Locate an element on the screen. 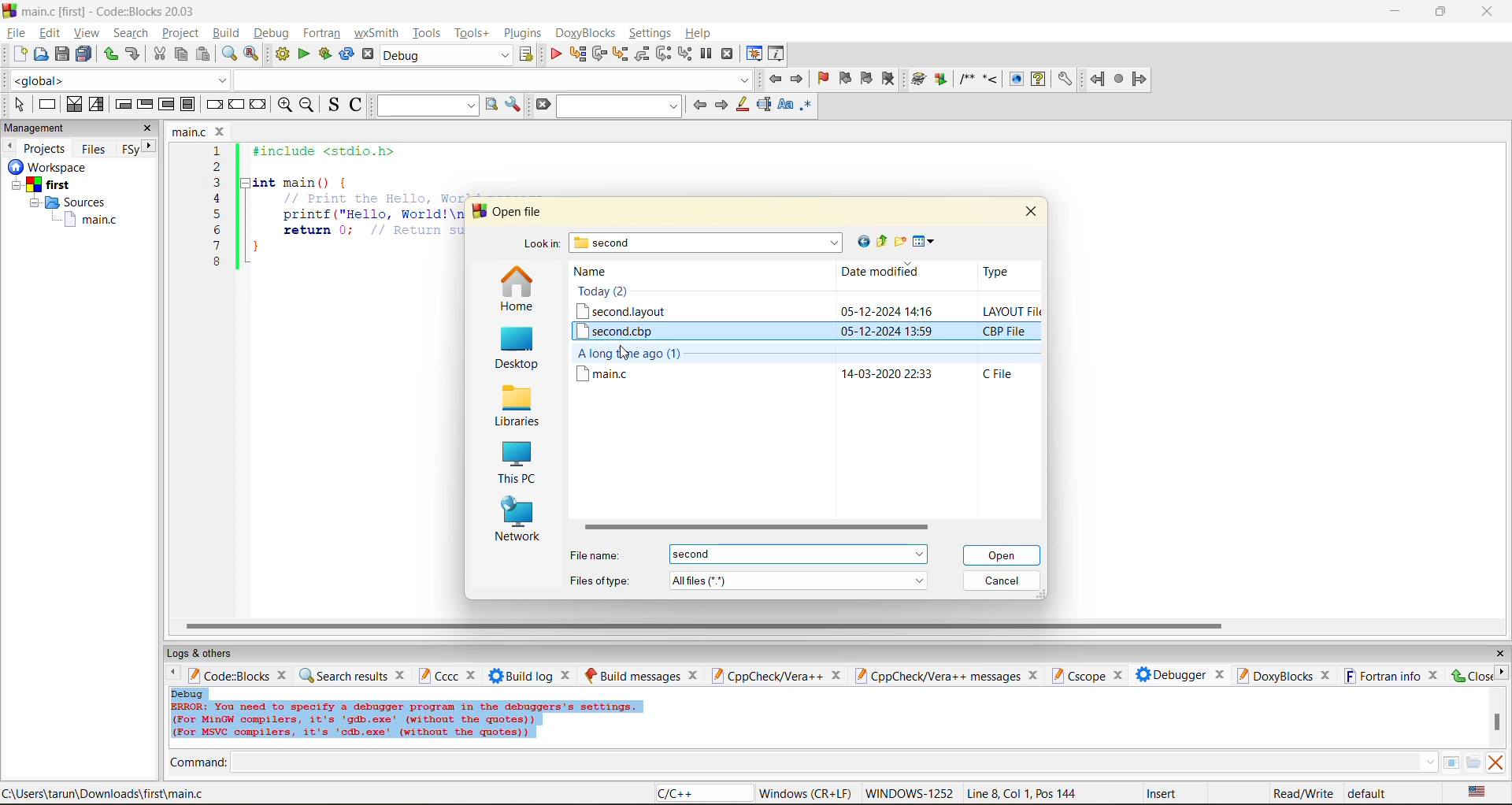 This screenshot has height=805, width=1512. forward is located at coordinates (1140, 79).